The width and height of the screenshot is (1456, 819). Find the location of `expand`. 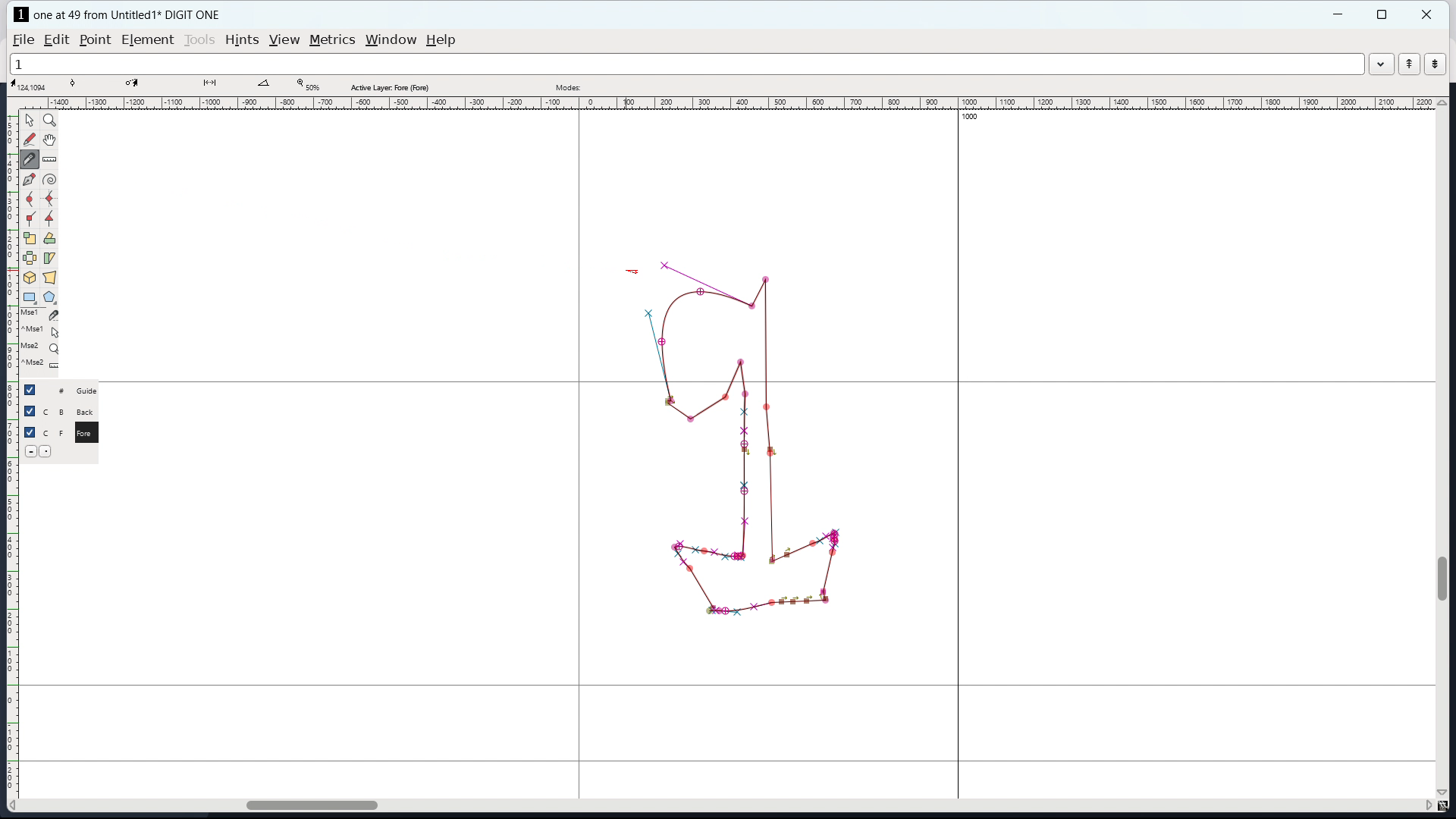

expand is located at coordinates (1380, 66).